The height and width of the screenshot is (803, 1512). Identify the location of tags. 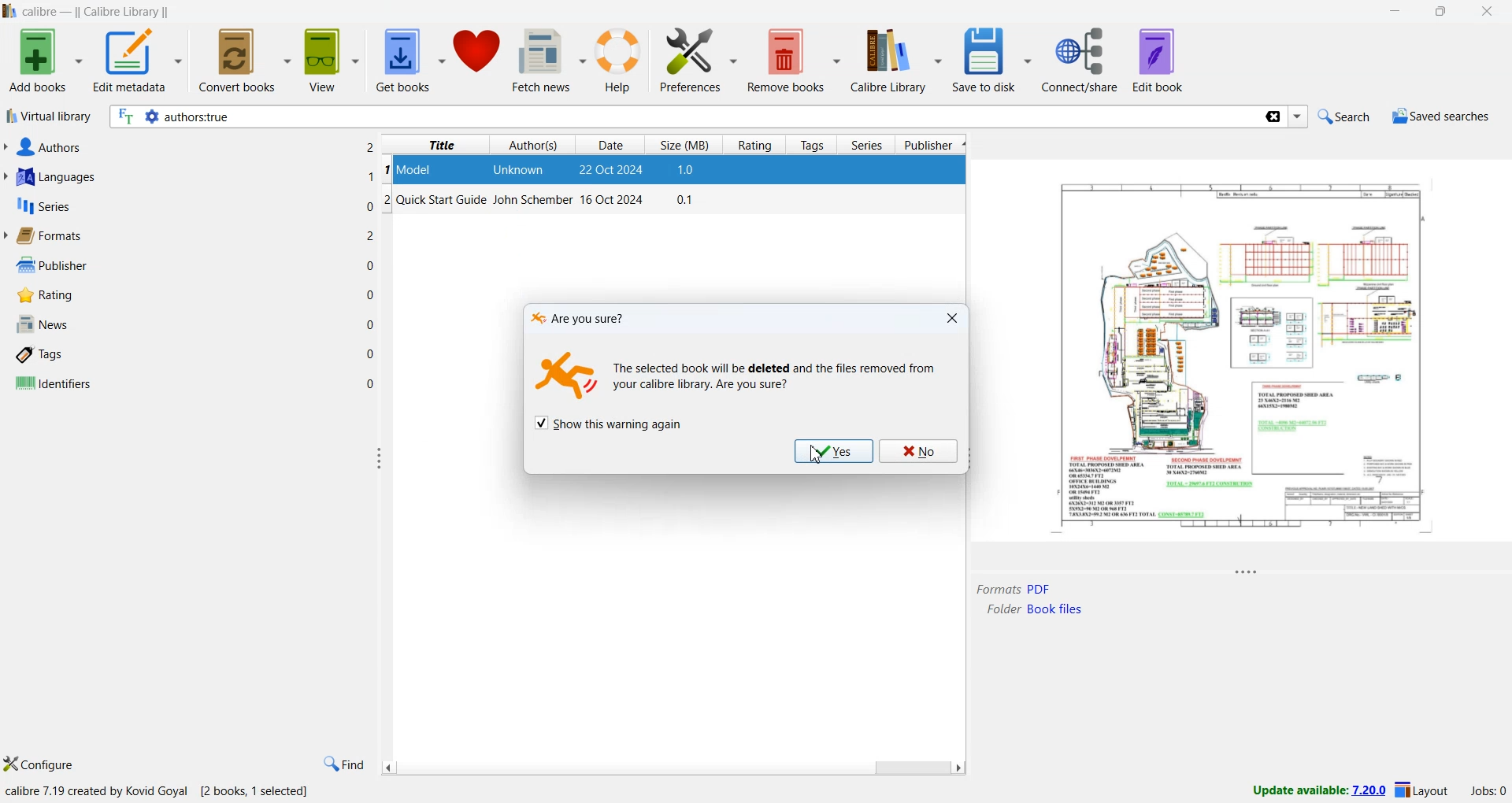
(814, 145).